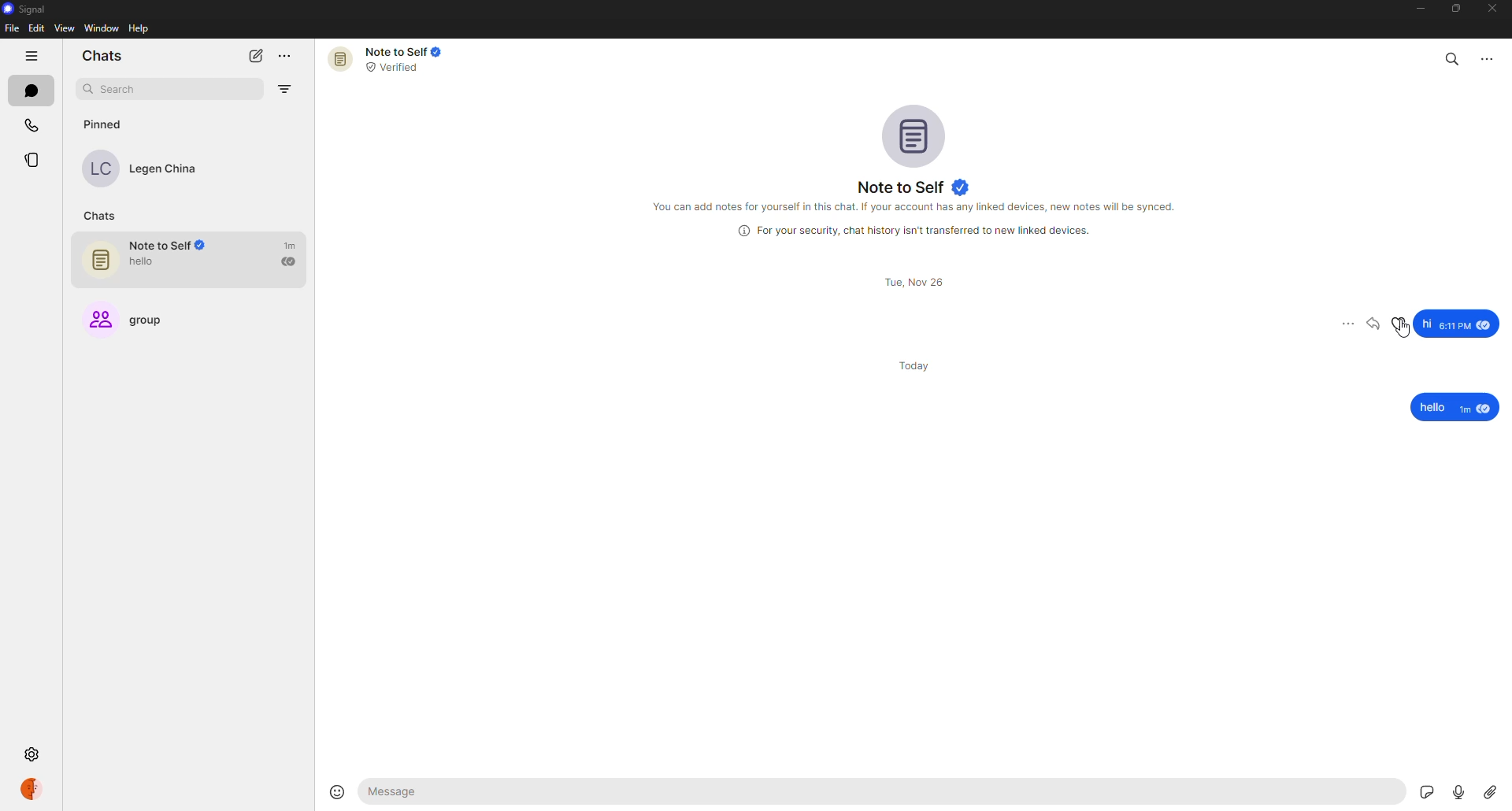 This screenshot has height=811, width=1512. What do you see at coordinates (35, 161) in the screenshot?
I see `stories` at bounding box center [35, 161].